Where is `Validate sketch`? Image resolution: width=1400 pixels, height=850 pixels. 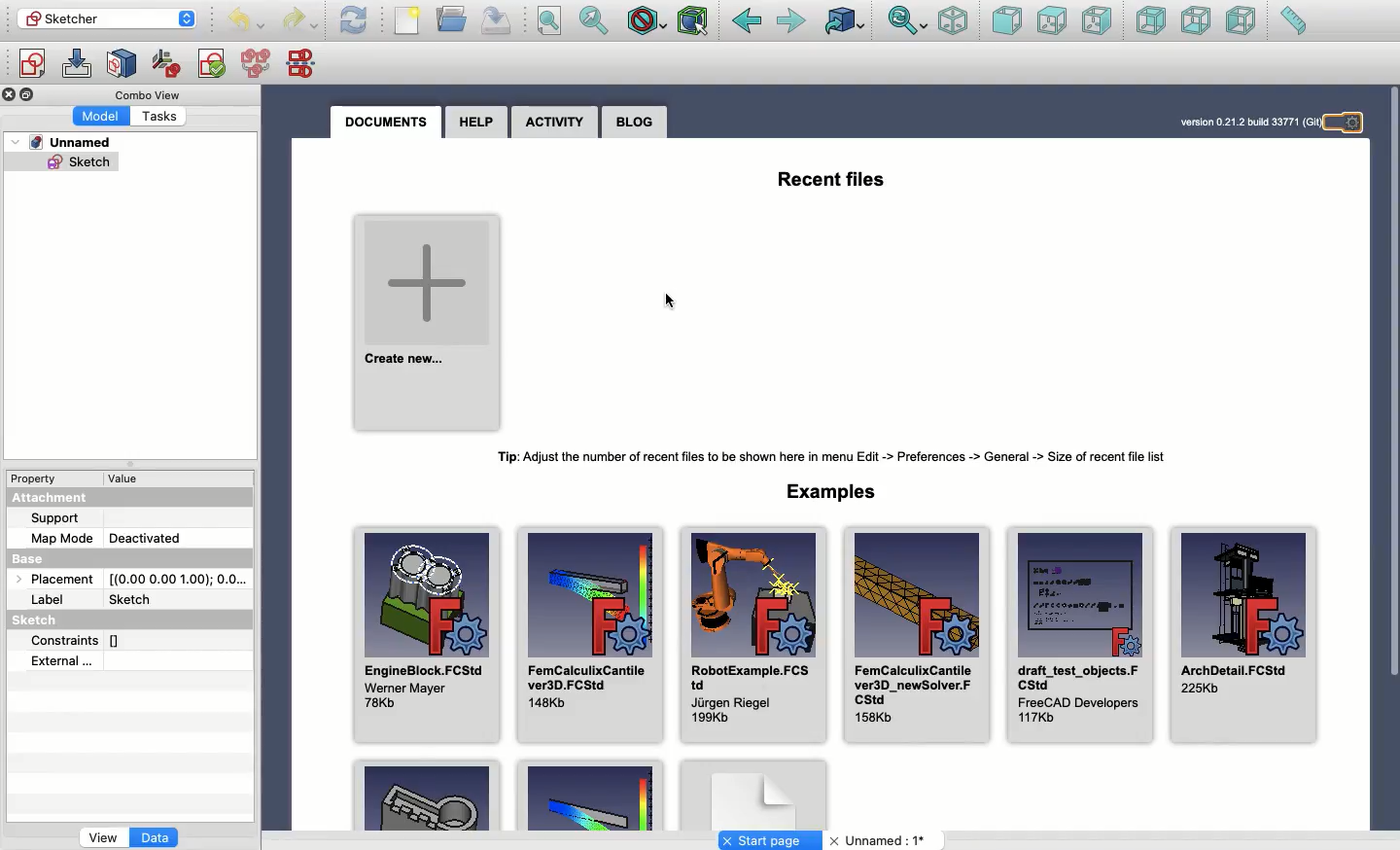
Validate sketch is located at coordinates (211, 62).